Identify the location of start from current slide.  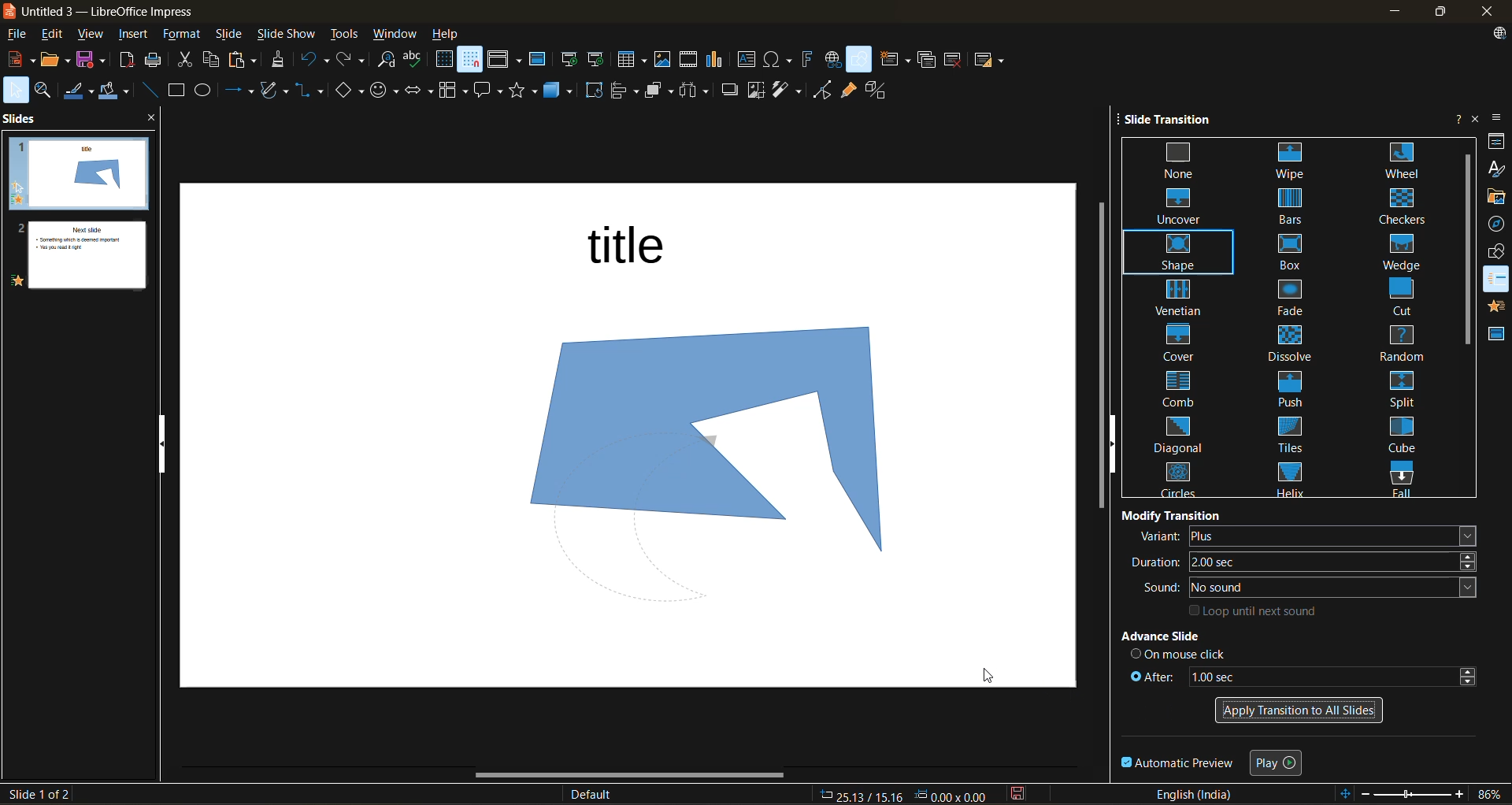
(598, 59).